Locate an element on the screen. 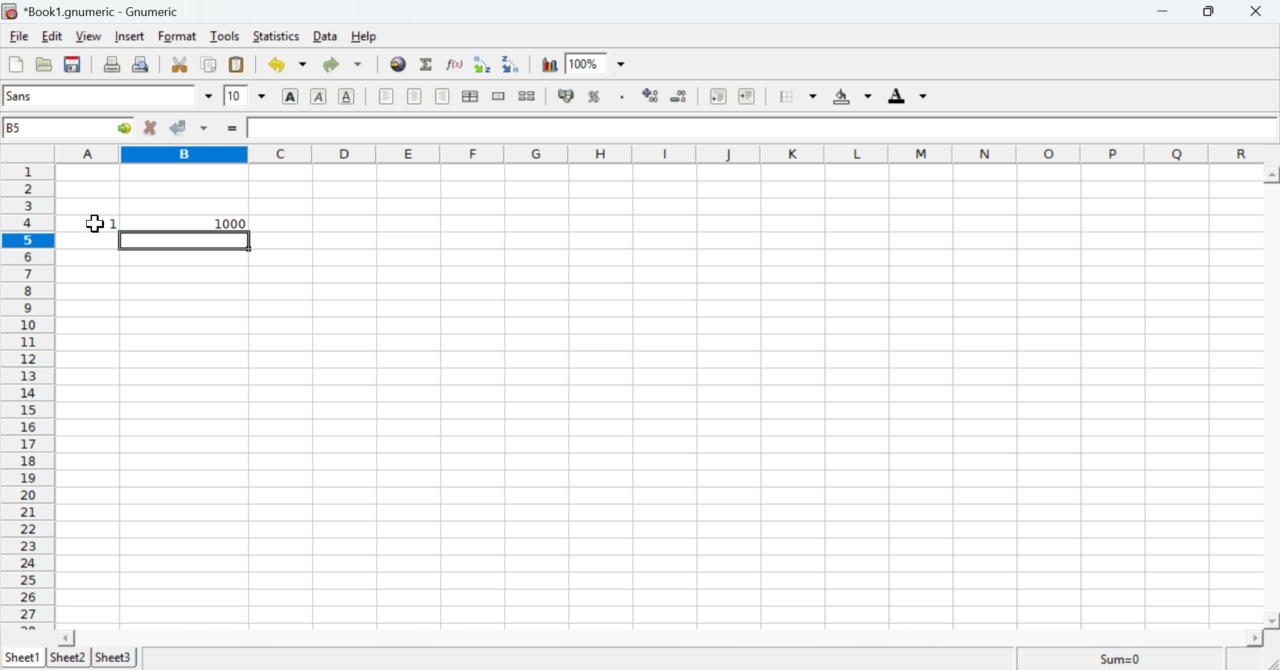  Sheet 2 is located at coordinates (69, 658).